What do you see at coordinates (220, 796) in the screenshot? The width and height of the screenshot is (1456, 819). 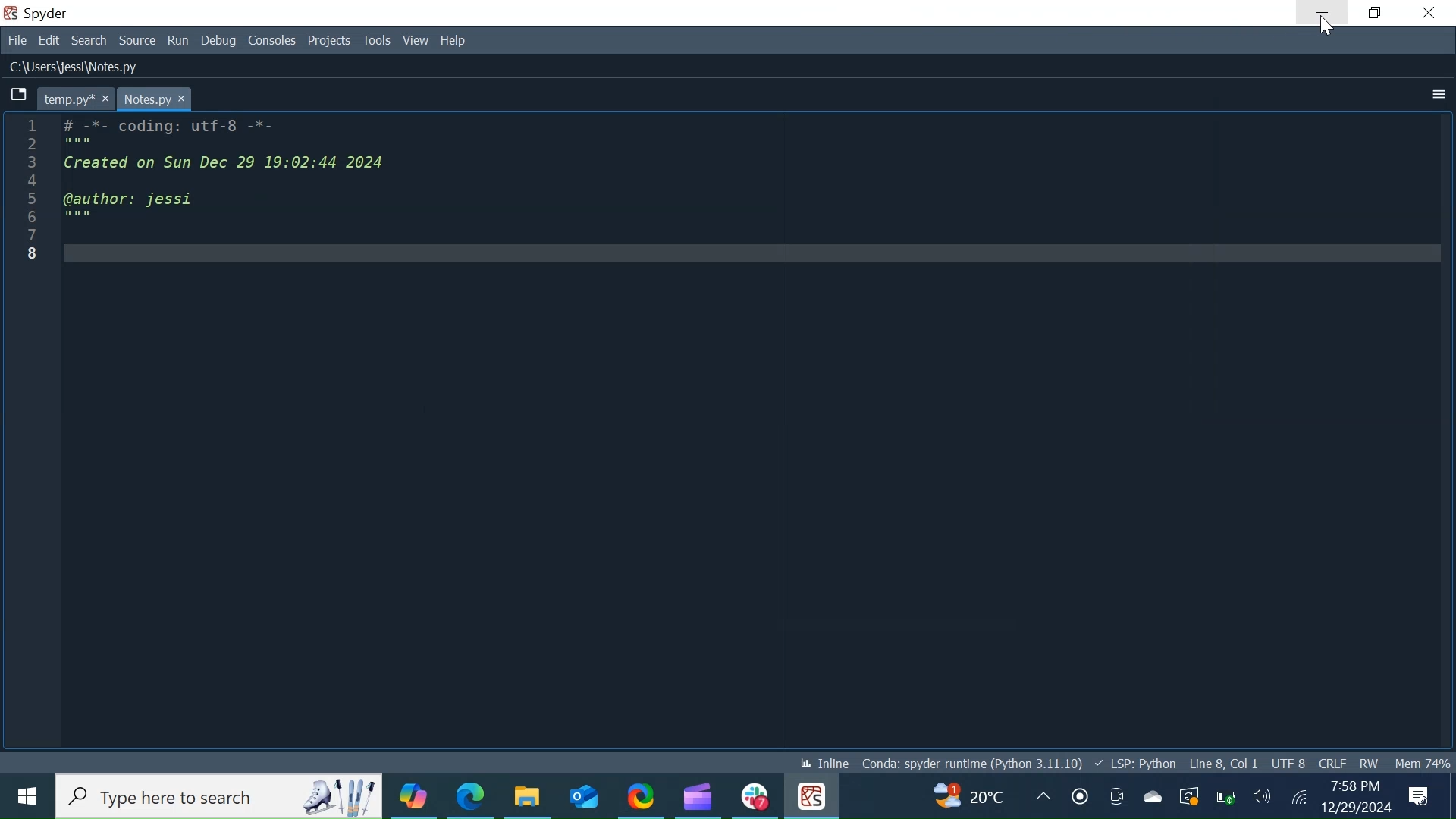 I see `Type here to search` at bounding box center [220, 796].